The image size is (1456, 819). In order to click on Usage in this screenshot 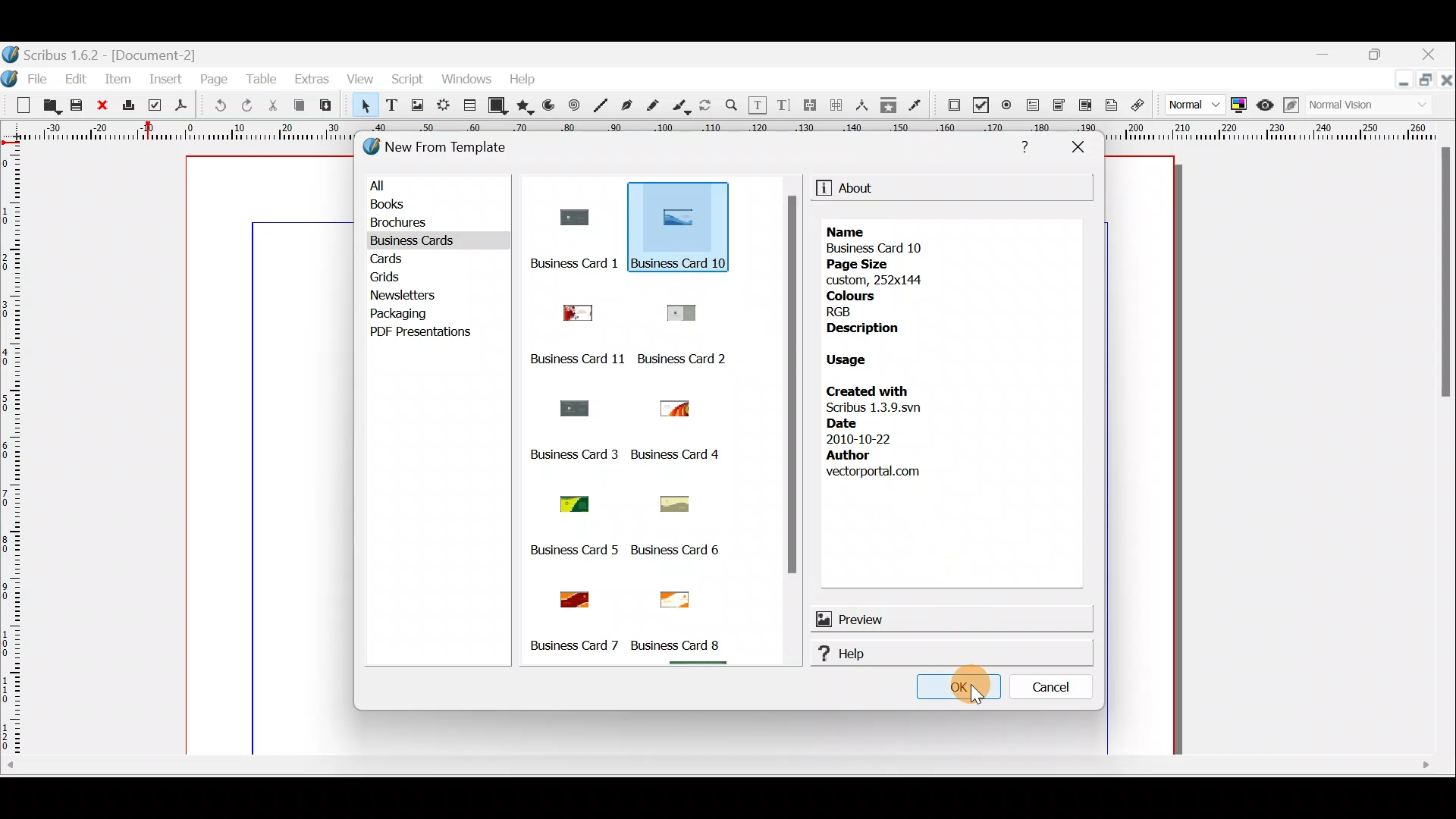, I will do `click(855, 361)`.